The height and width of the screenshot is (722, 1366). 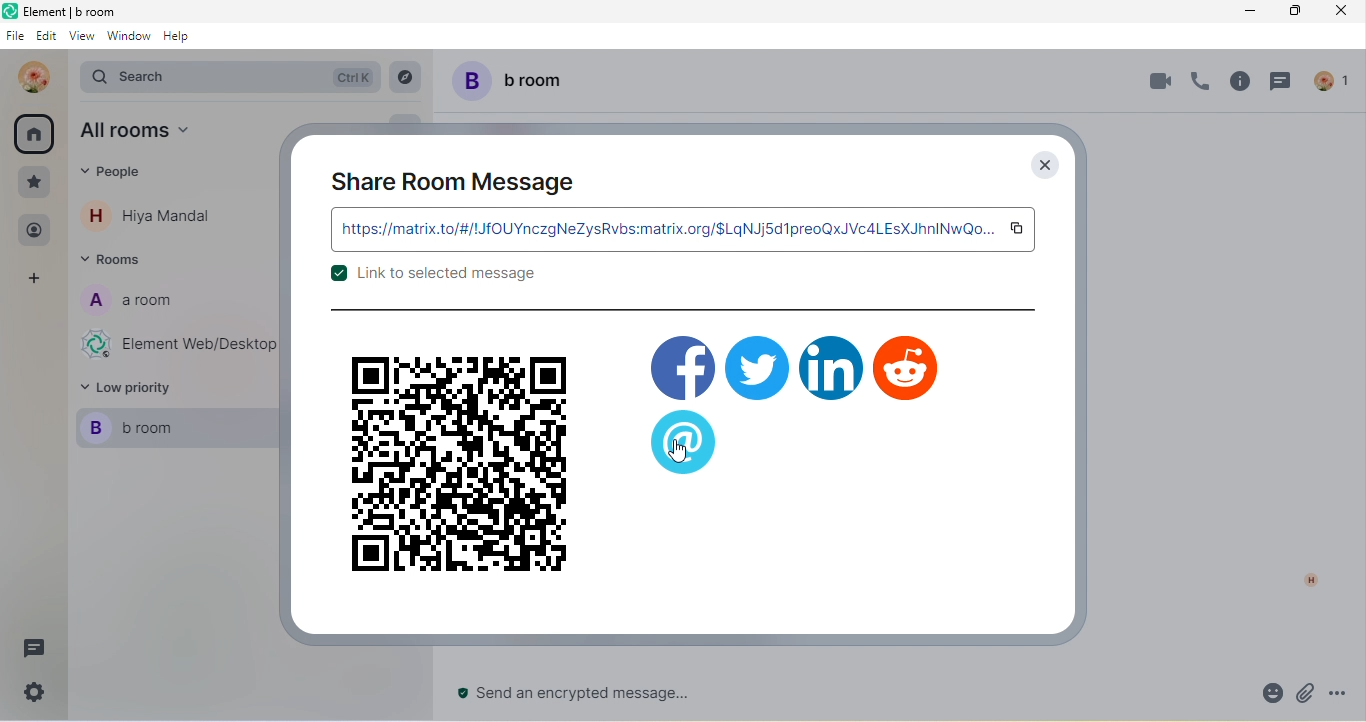 What do you see at coordinates (81, 39) in the screenshot?
I see `view` at bounding box center [81, 39].